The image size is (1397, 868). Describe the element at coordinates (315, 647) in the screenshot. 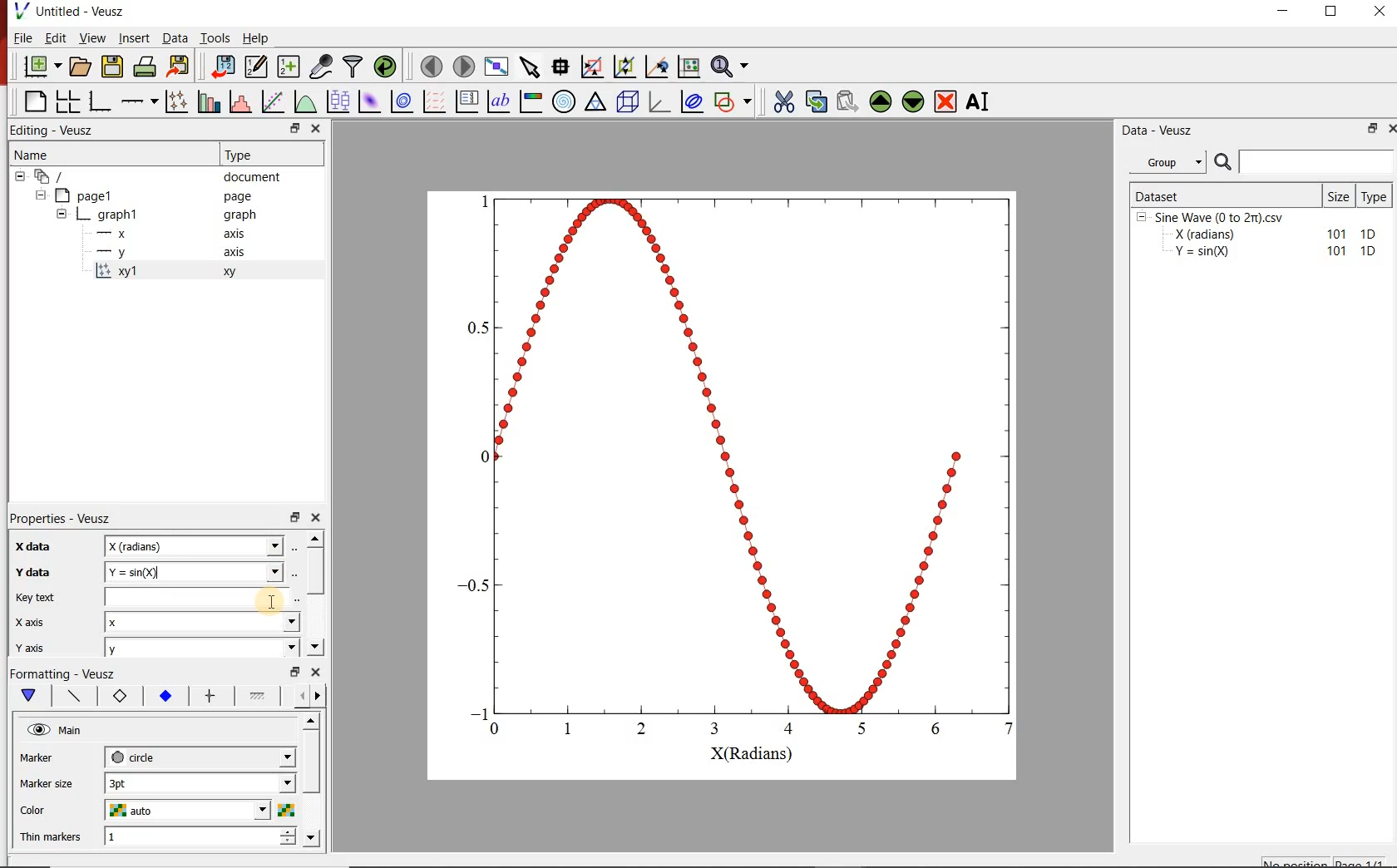

I see `Down` at that location.